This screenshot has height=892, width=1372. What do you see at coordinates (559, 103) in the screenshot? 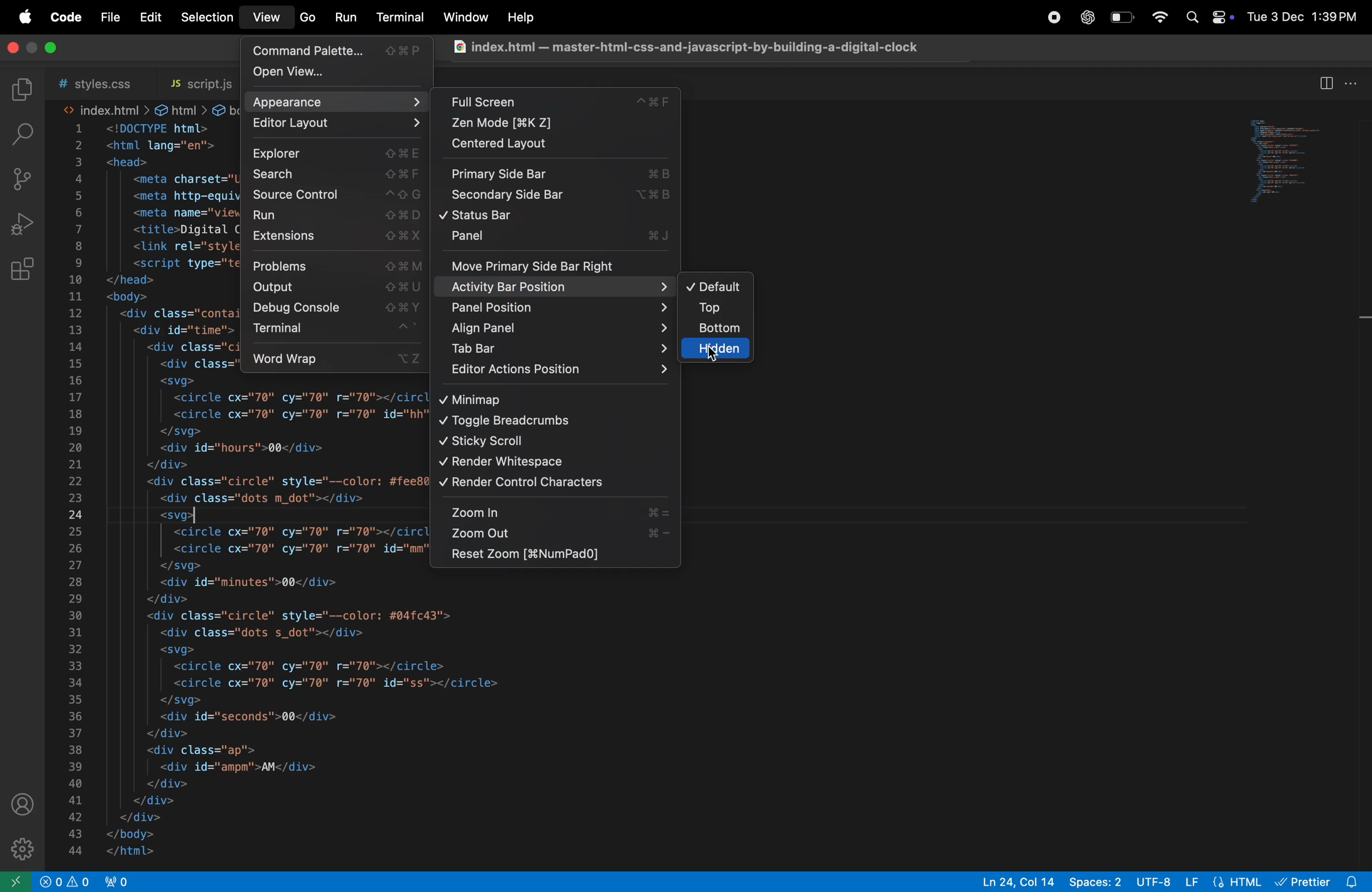
I see `full screen` at bounding box center [559, 103].